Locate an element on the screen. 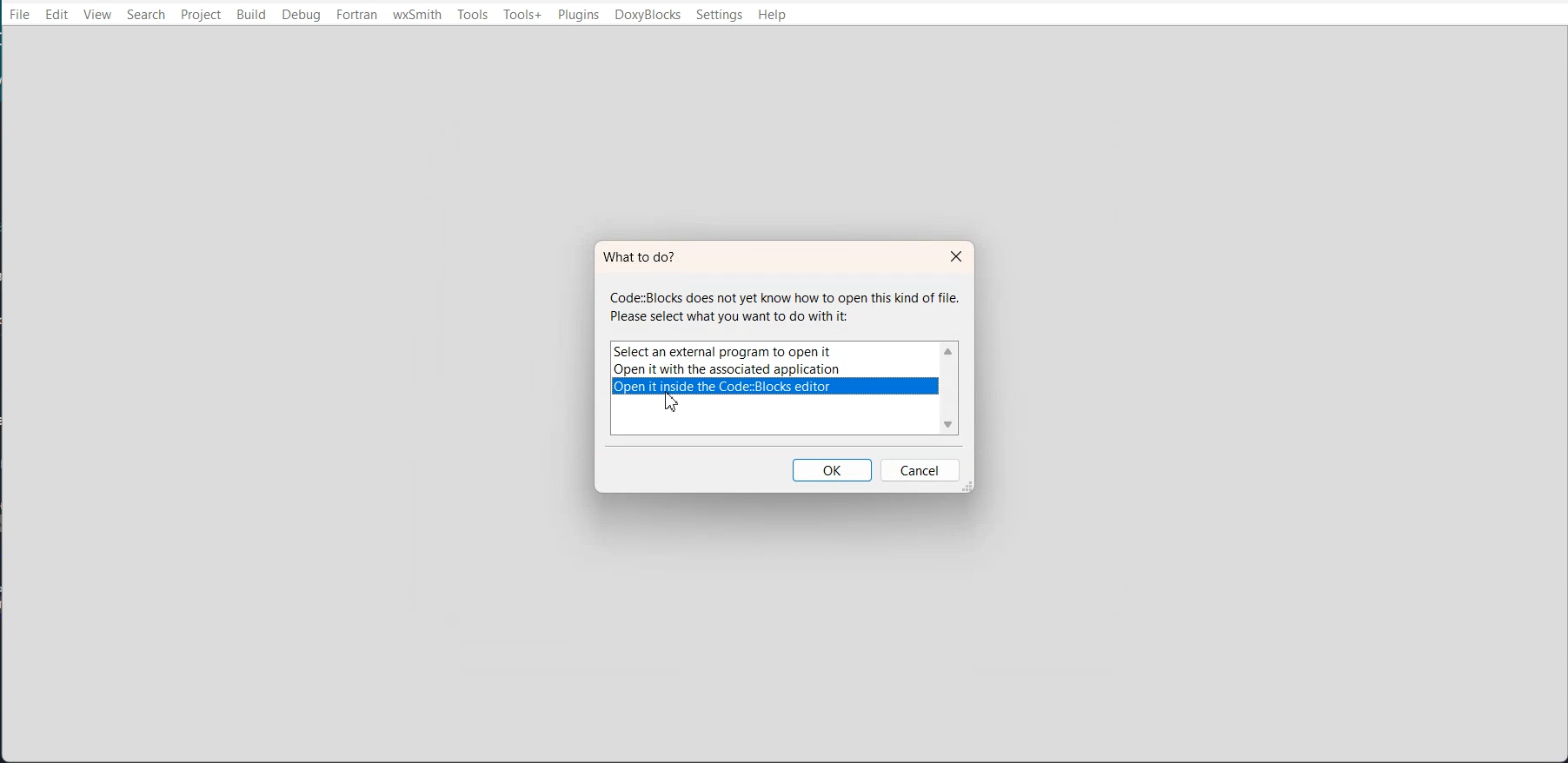 The image size is (1568, 763). Tools+ is located at coordinates (523, 15).